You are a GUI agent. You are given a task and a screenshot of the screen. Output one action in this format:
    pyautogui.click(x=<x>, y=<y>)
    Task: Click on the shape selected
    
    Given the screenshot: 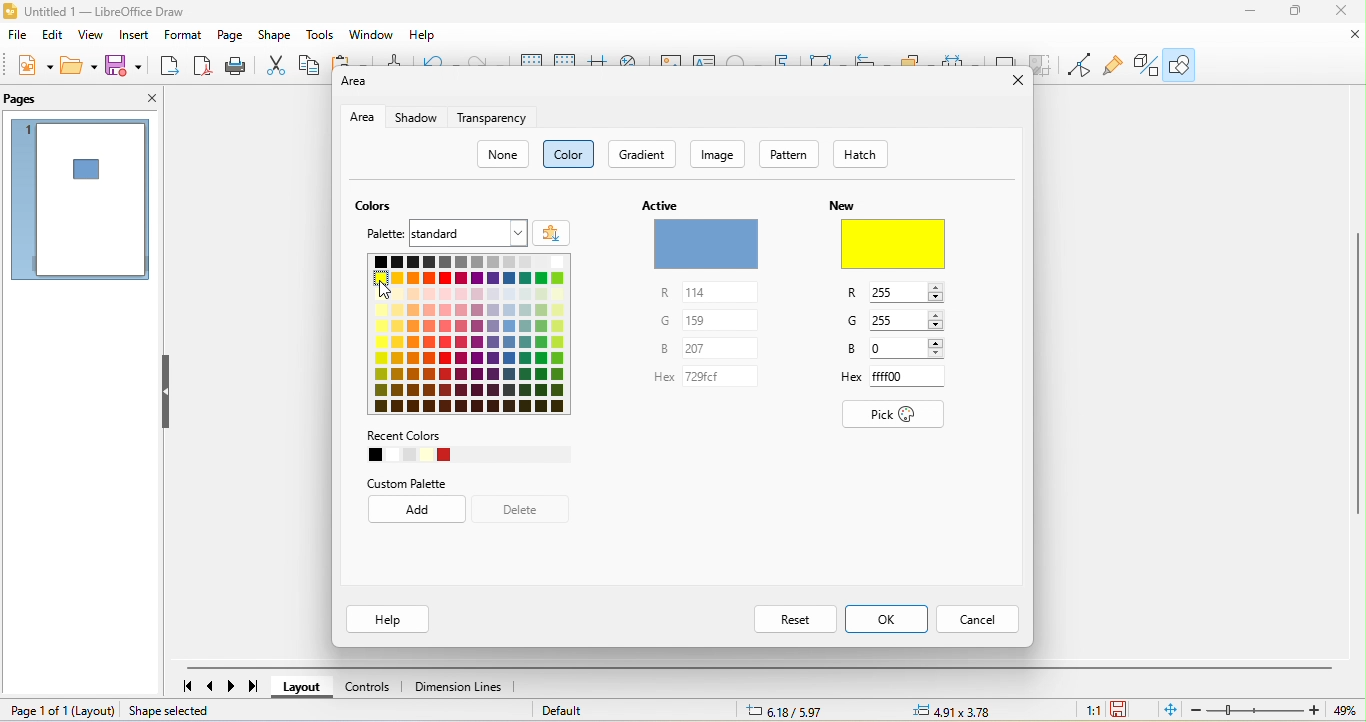 What is the action you would take?
    pyautogui.click(x=185, y=711)
    